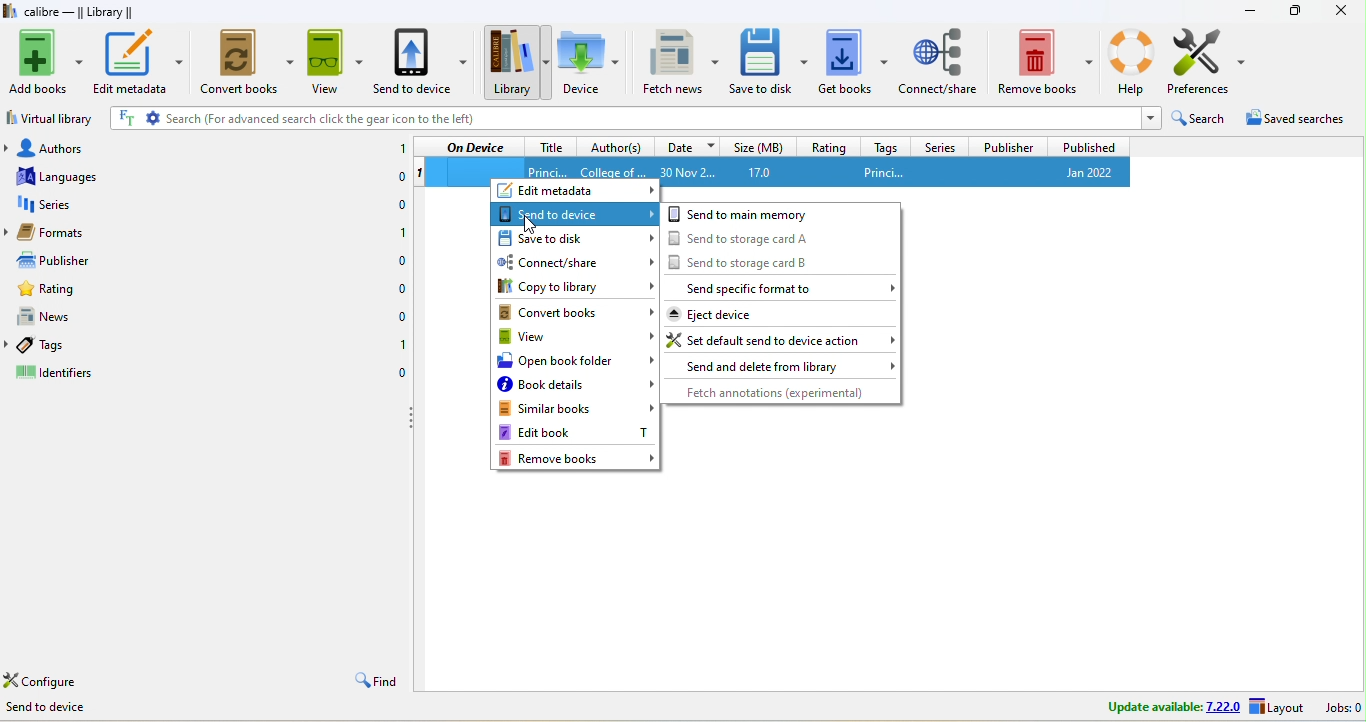  Describe the element at coordinates (828, 146) in the screenshot. I see `rating` at that location.